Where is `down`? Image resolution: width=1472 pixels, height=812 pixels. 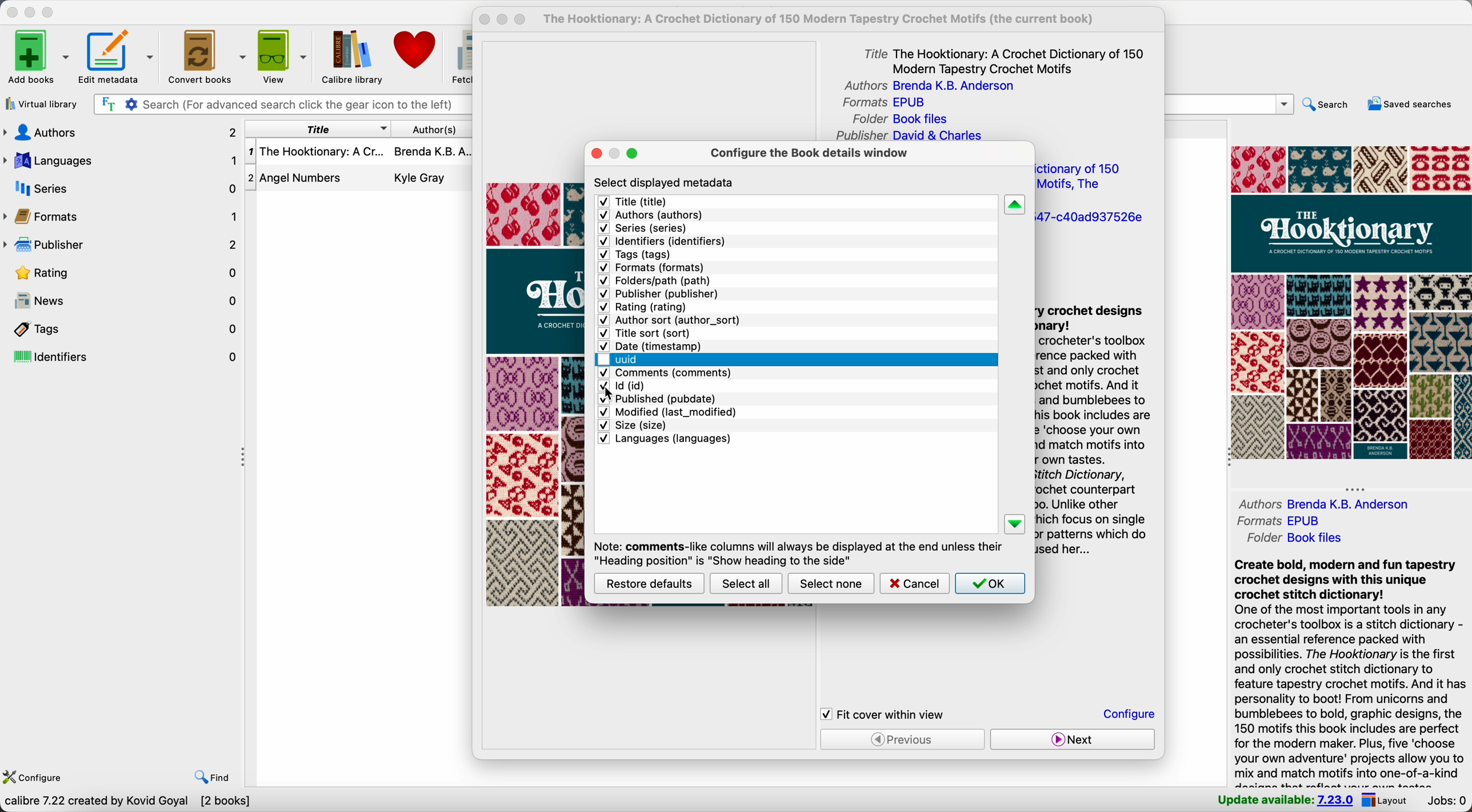
down is located at coordinates (1017, 525).